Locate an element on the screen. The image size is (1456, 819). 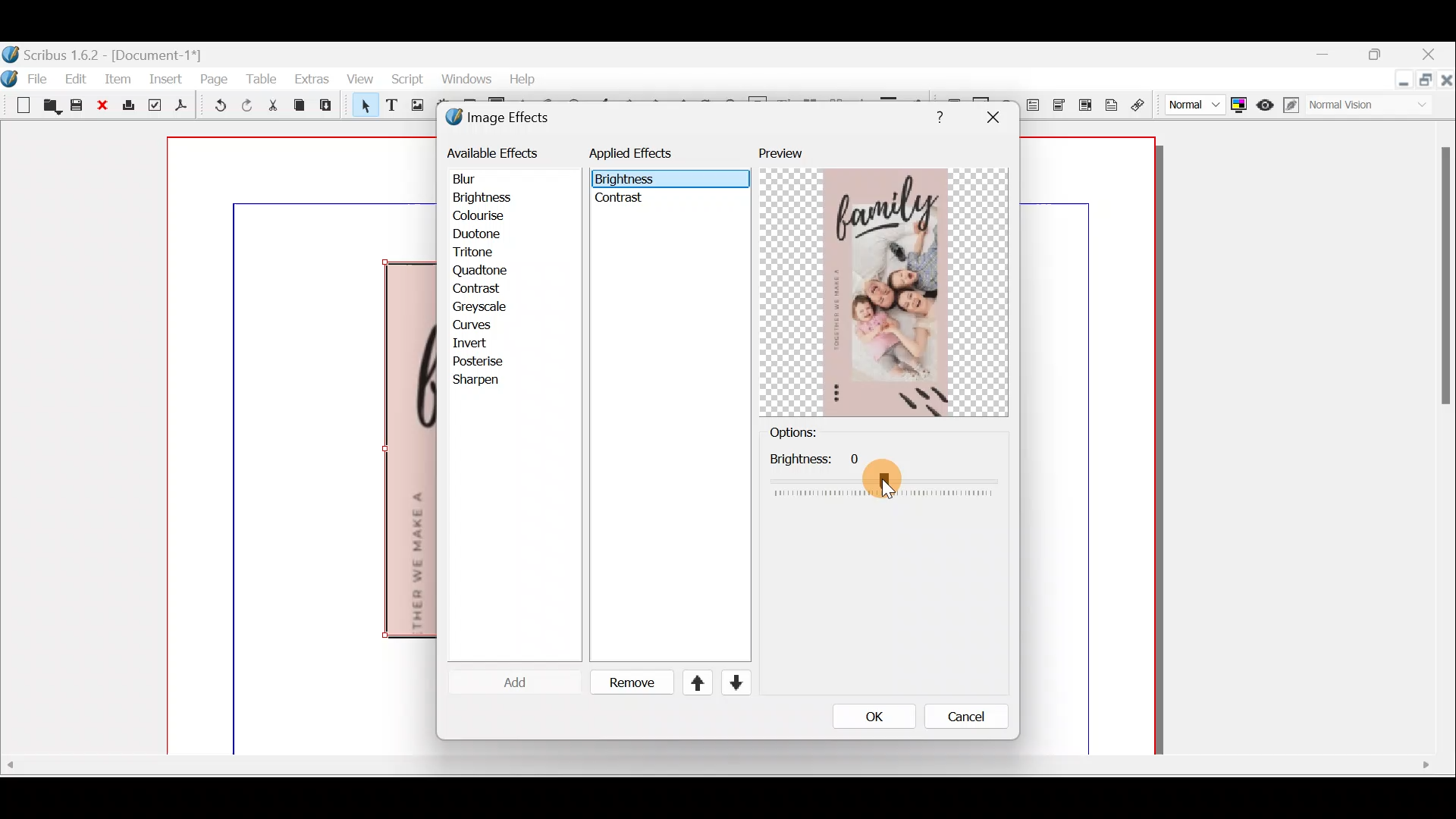
cursor is located at coordinates (889, 479).